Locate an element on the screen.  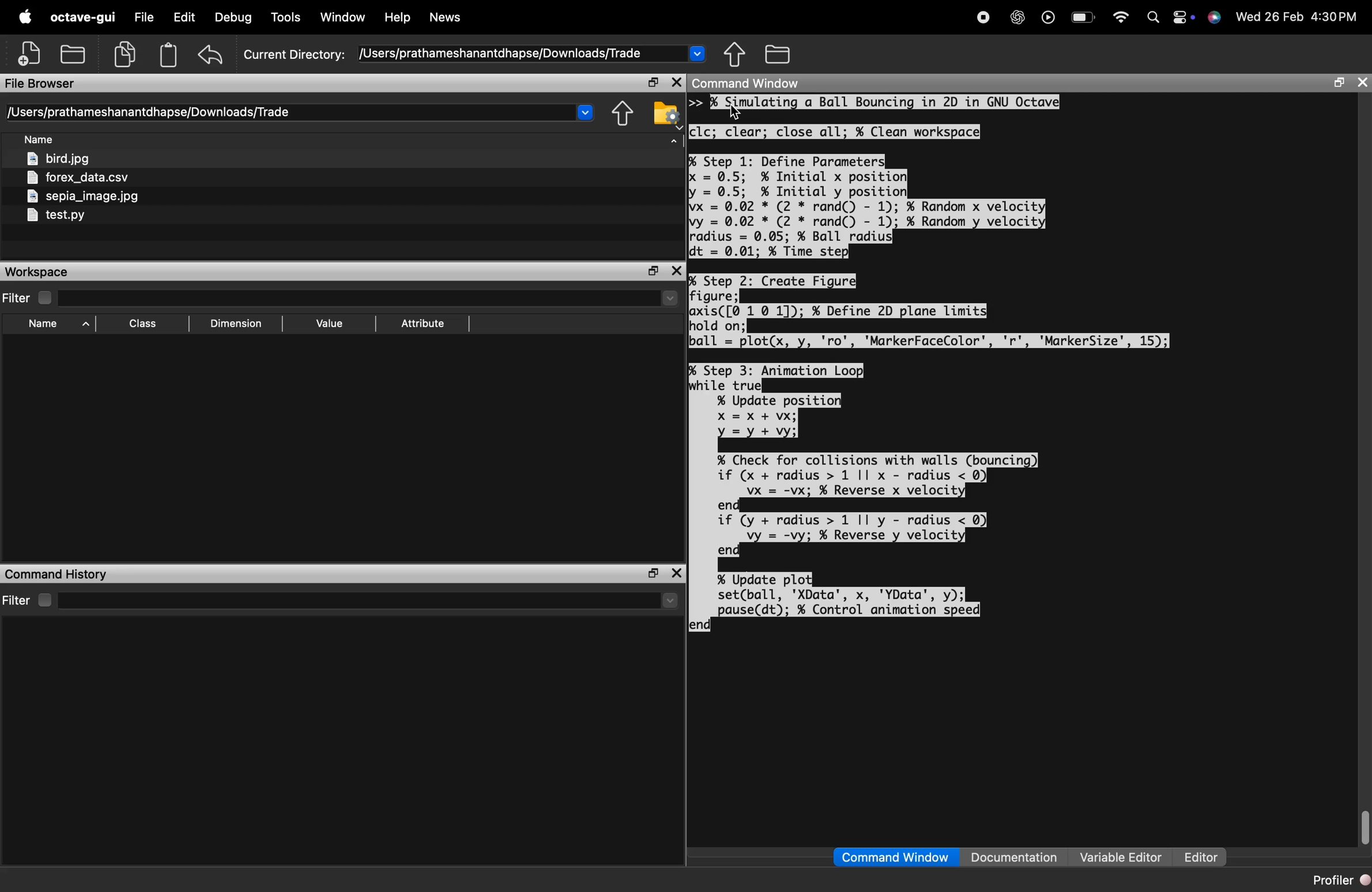
Drop-down  is located at coordinates (698, 52).